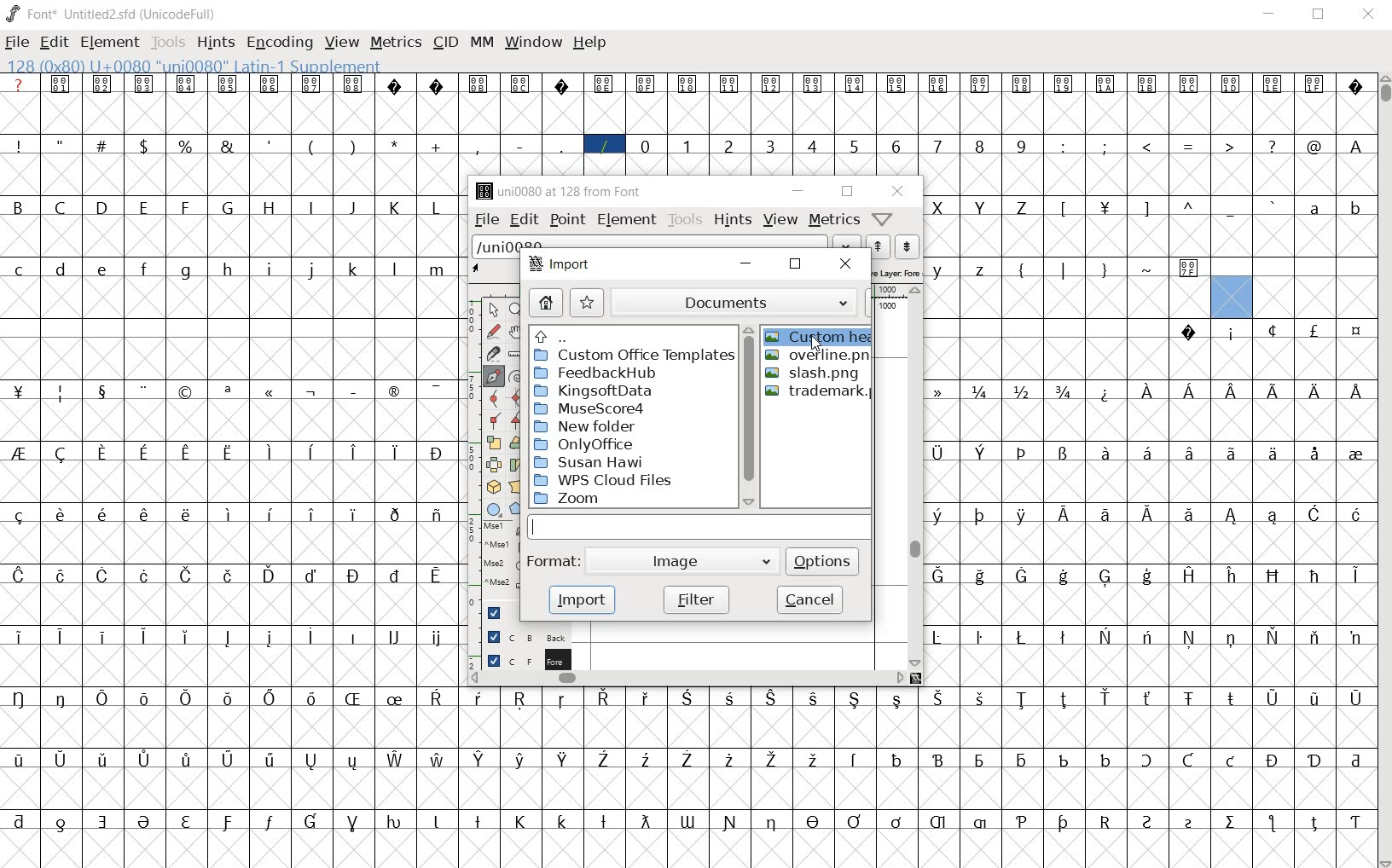  I want to click on dropdown, so click(848, 242).